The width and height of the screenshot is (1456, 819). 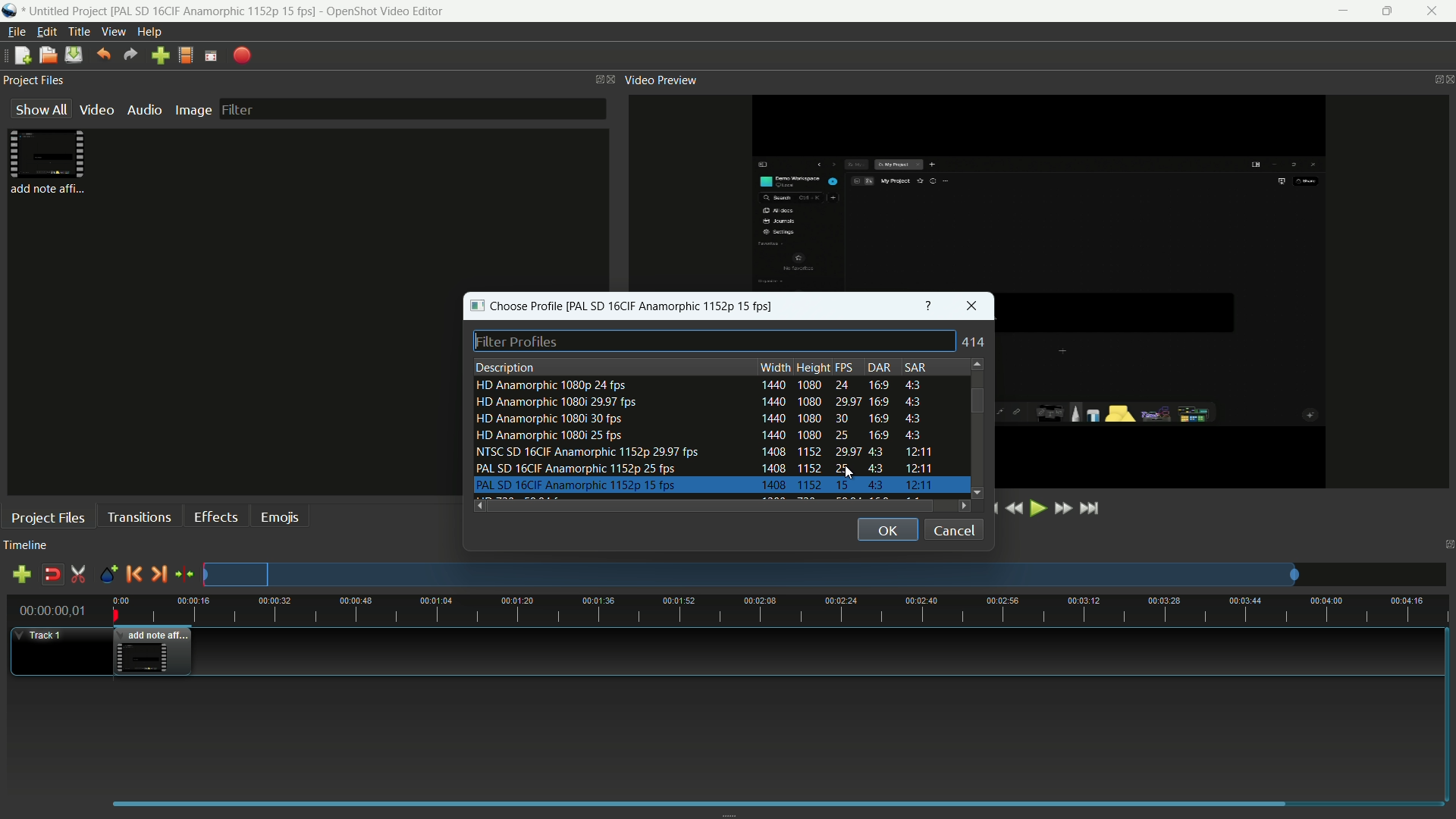 I want to click on maximize, so click(x=1389, y=11).